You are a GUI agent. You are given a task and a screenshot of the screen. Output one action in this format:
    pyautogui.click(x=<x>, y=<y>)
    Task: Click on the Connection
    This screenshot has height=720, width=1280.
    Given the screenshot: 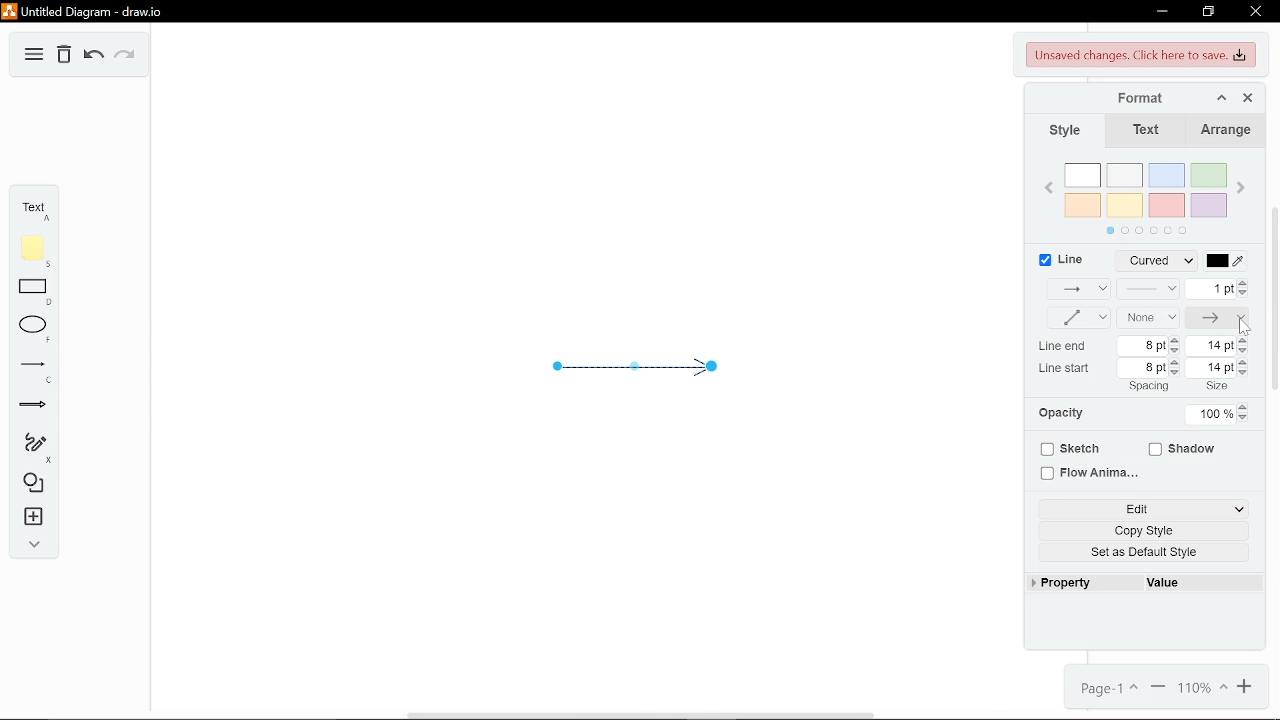 What is the action you would take?
    pyautogui.click(x=1078, y=289)
    